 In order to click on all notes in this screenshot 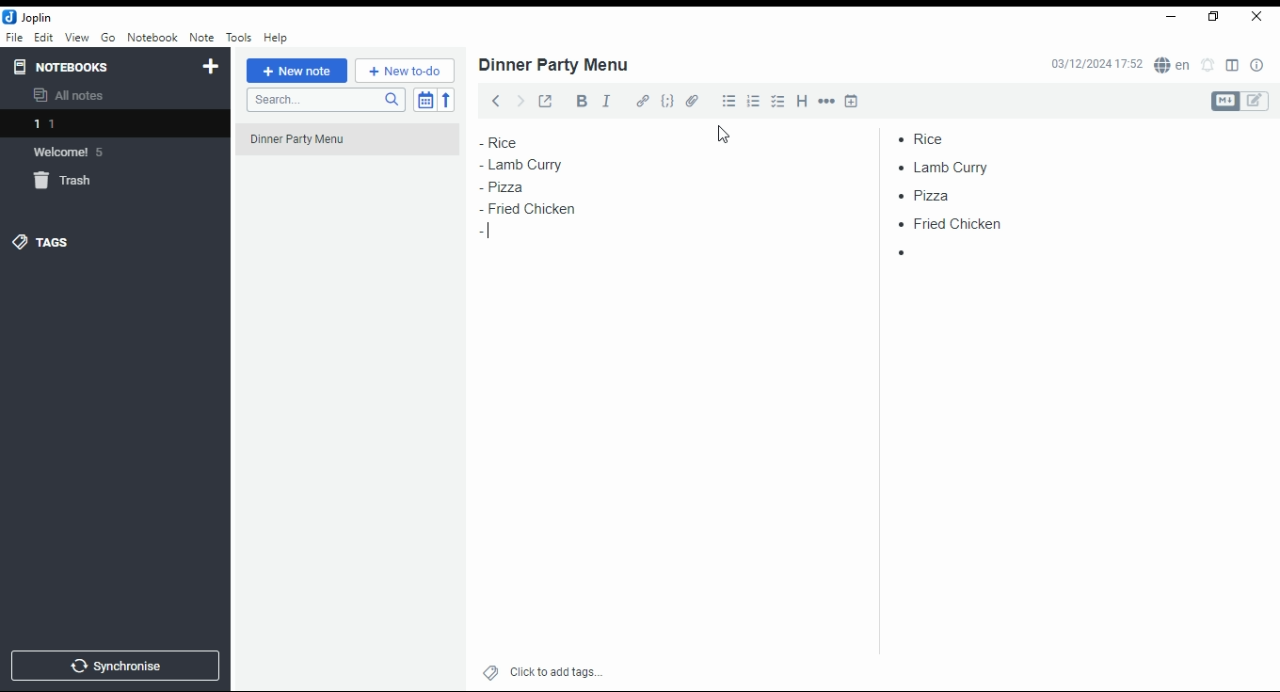, I will do `click(74, 96)`.